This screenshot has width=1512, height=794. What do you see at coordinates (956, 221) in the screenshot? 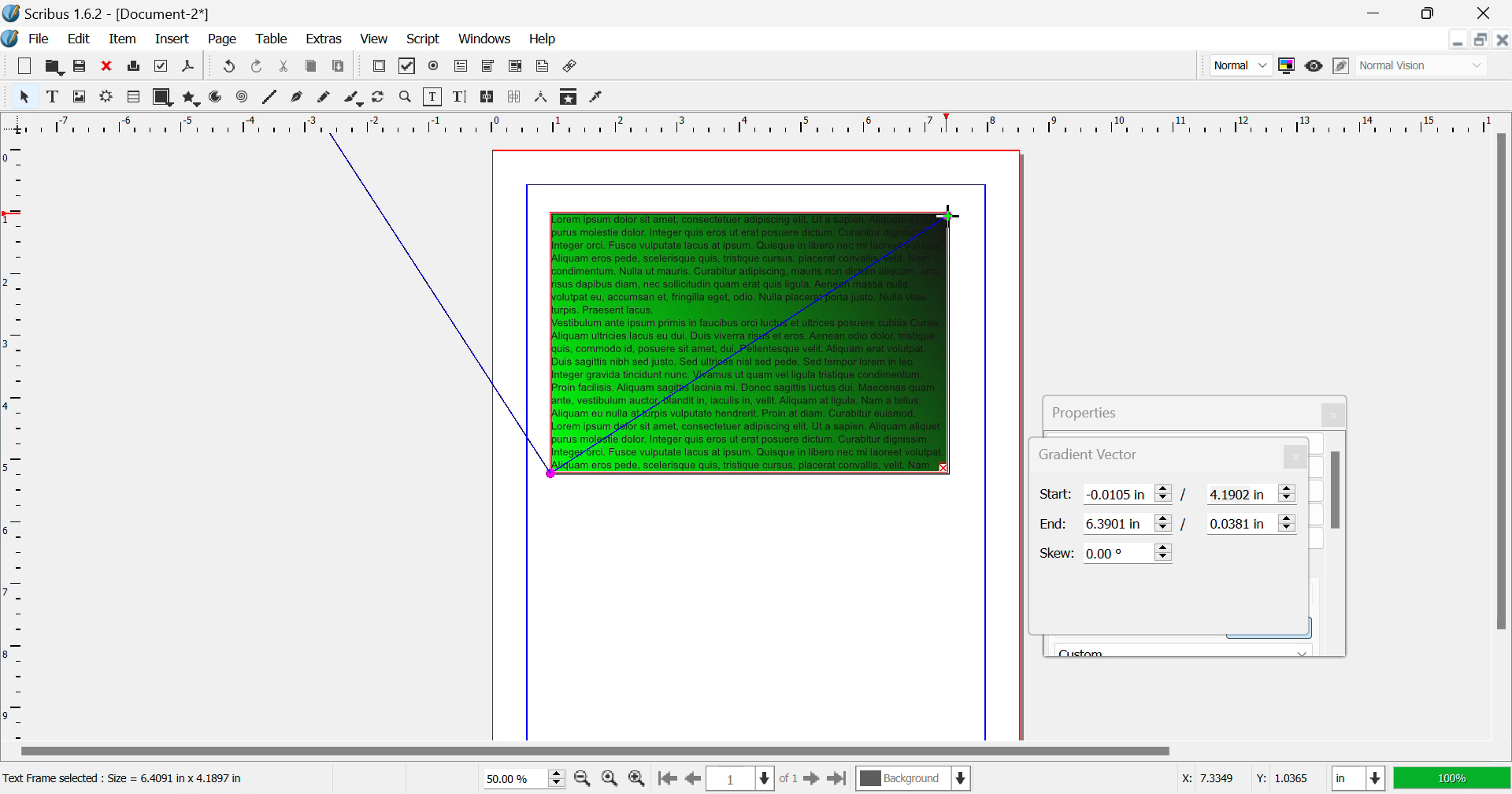
I see `MOUSE_UP Cursor Position` at bounding box center [956, 221].